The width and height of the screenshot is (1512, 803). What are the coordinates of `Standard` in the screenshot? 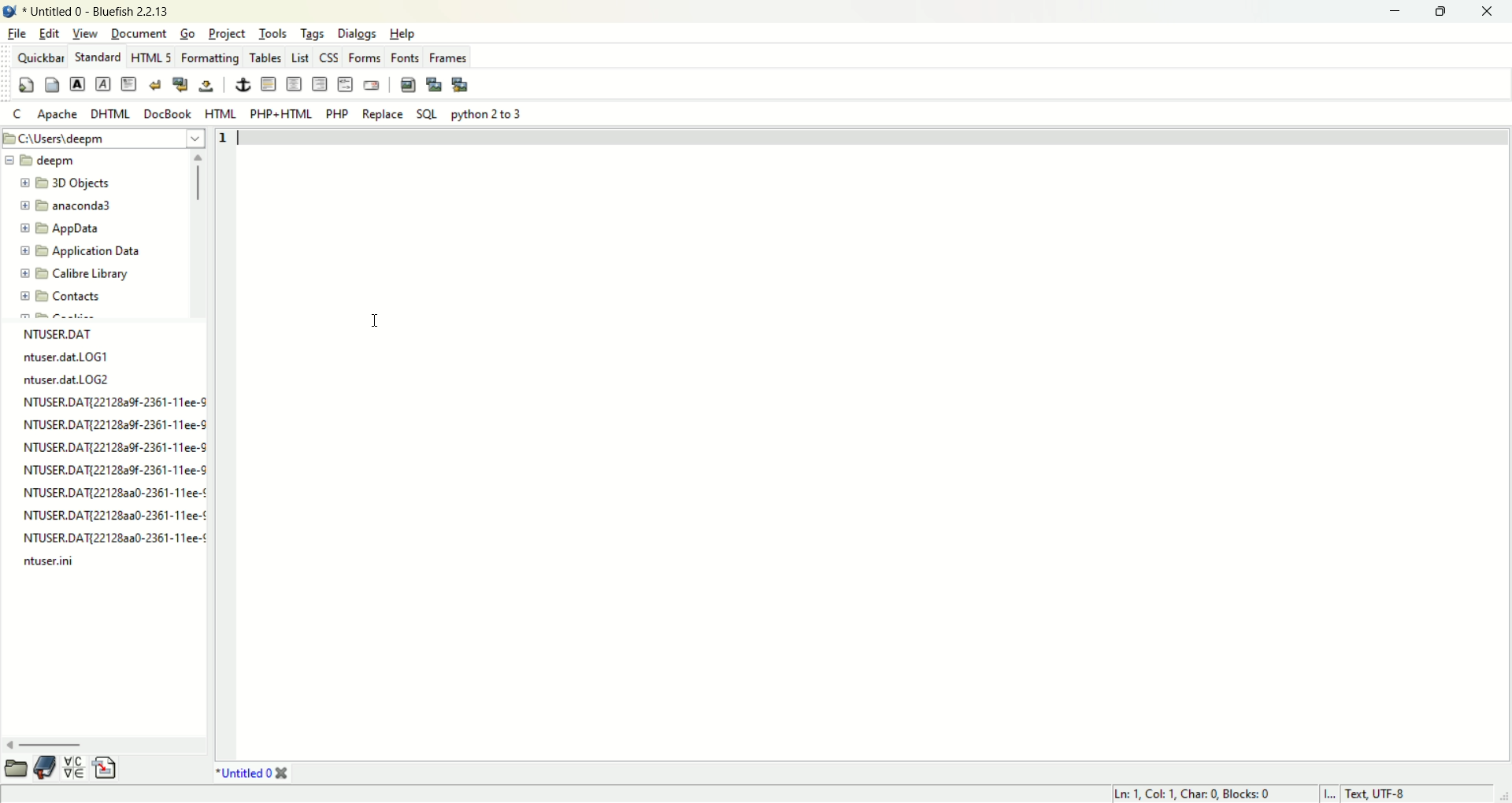 It's located at (98, 57).